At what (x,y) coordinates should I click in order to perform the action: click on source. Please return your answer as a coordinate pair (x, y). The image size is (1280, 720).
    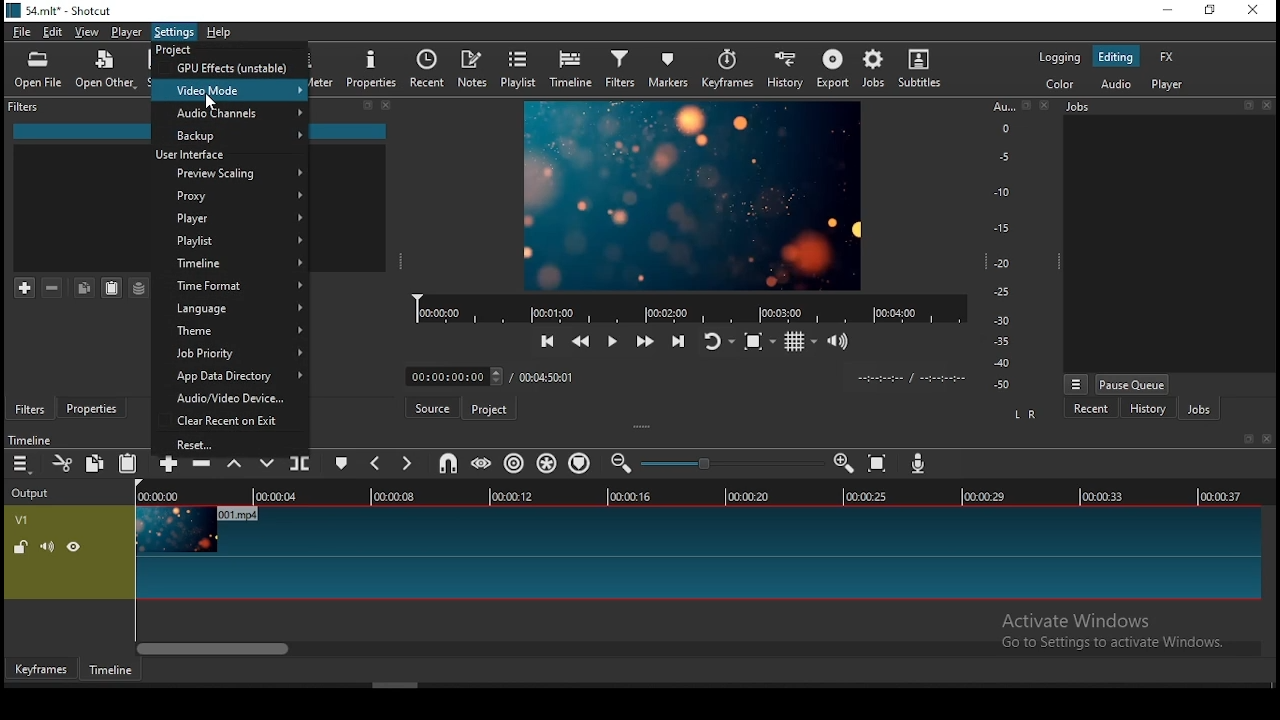
    Looking at the image, I should click on (432, 409).